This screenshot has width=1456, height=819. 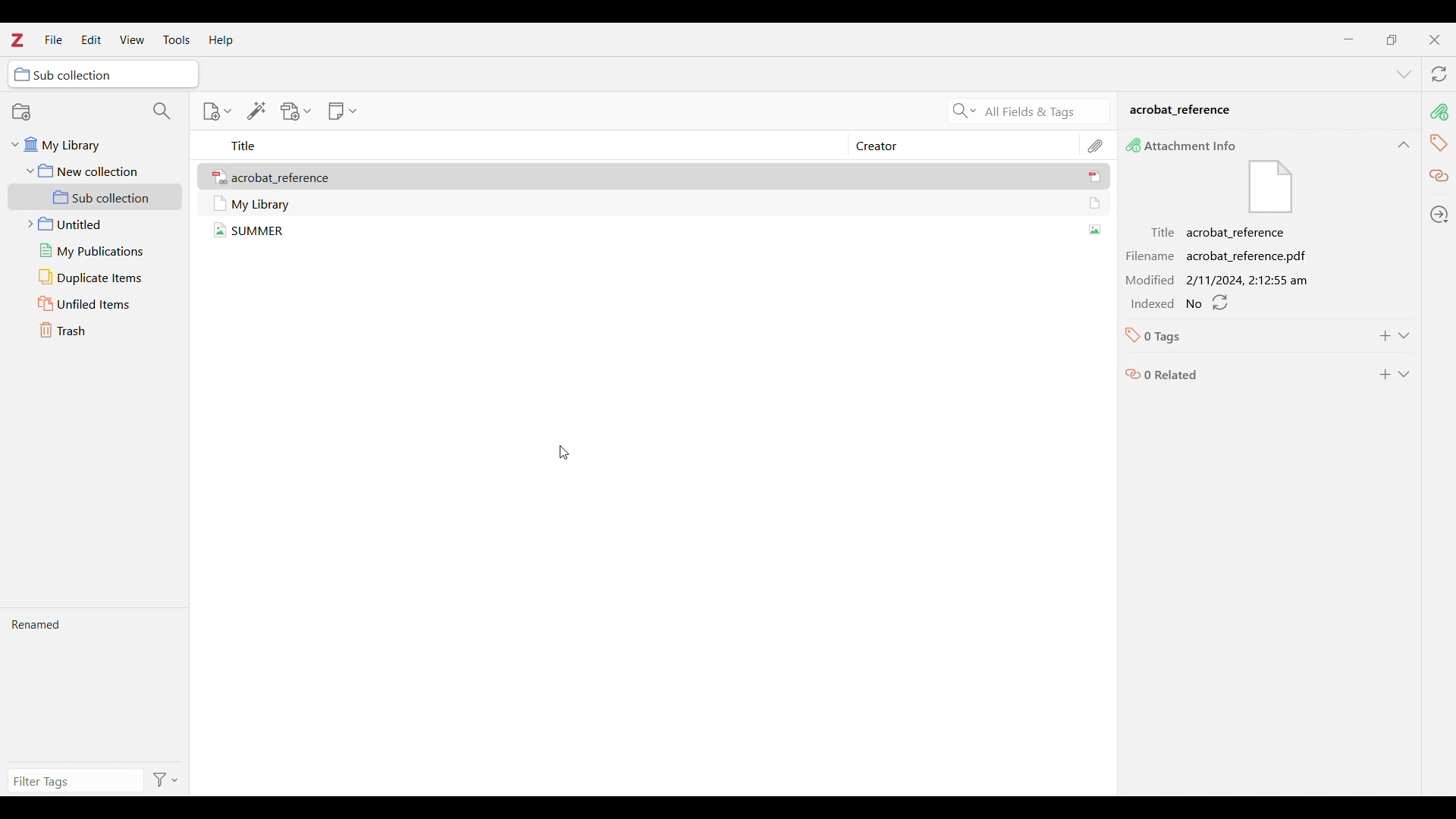 What do you see at coordinates (221, 40) in the screenshot?
I see `Help menu` at bounding box center [221, 40].